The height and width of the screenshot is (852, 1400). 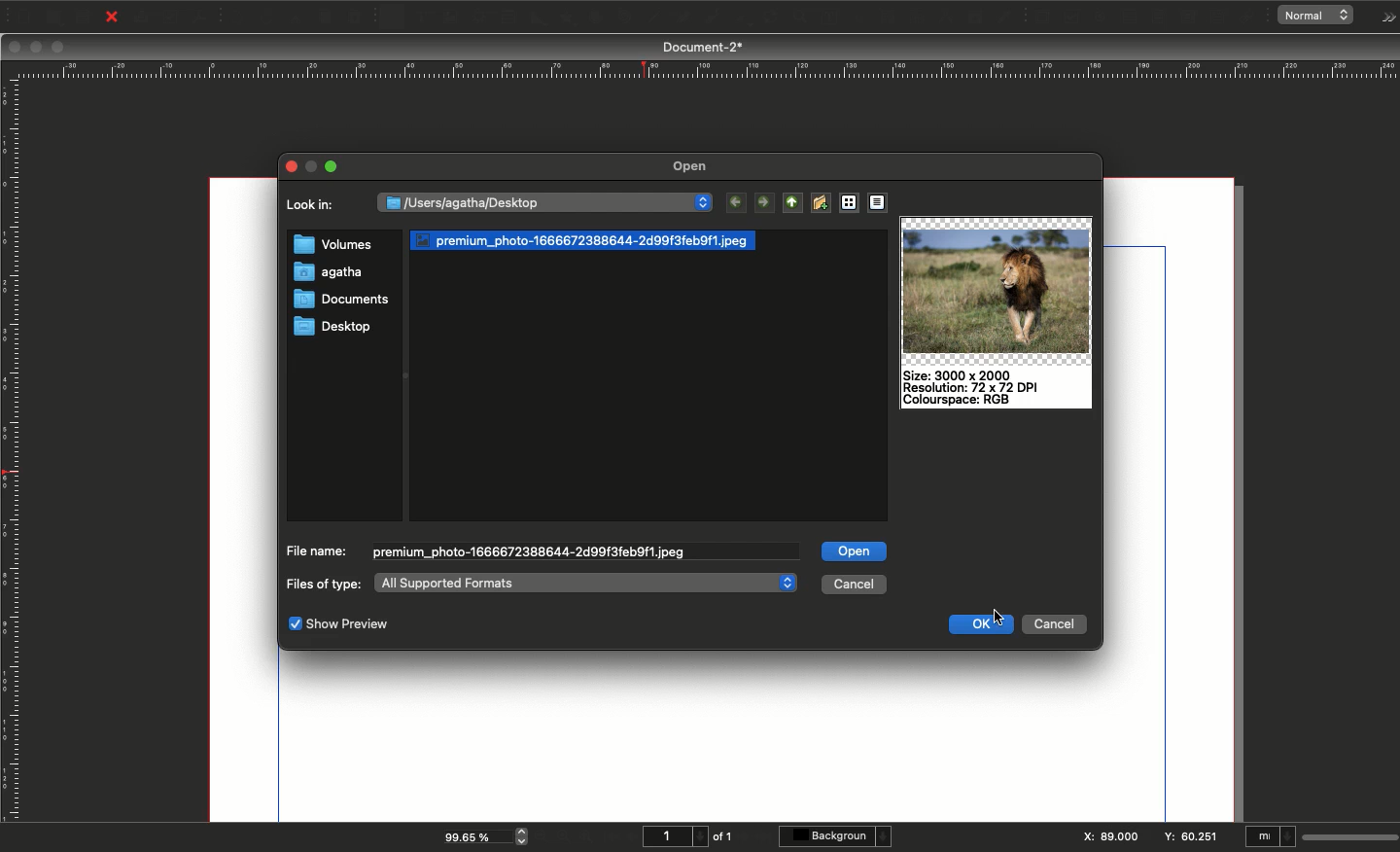 What do you see at coordinates (681, 18) in the screenshot?
I see `Bézier curve` at bounding box center [681, 18].